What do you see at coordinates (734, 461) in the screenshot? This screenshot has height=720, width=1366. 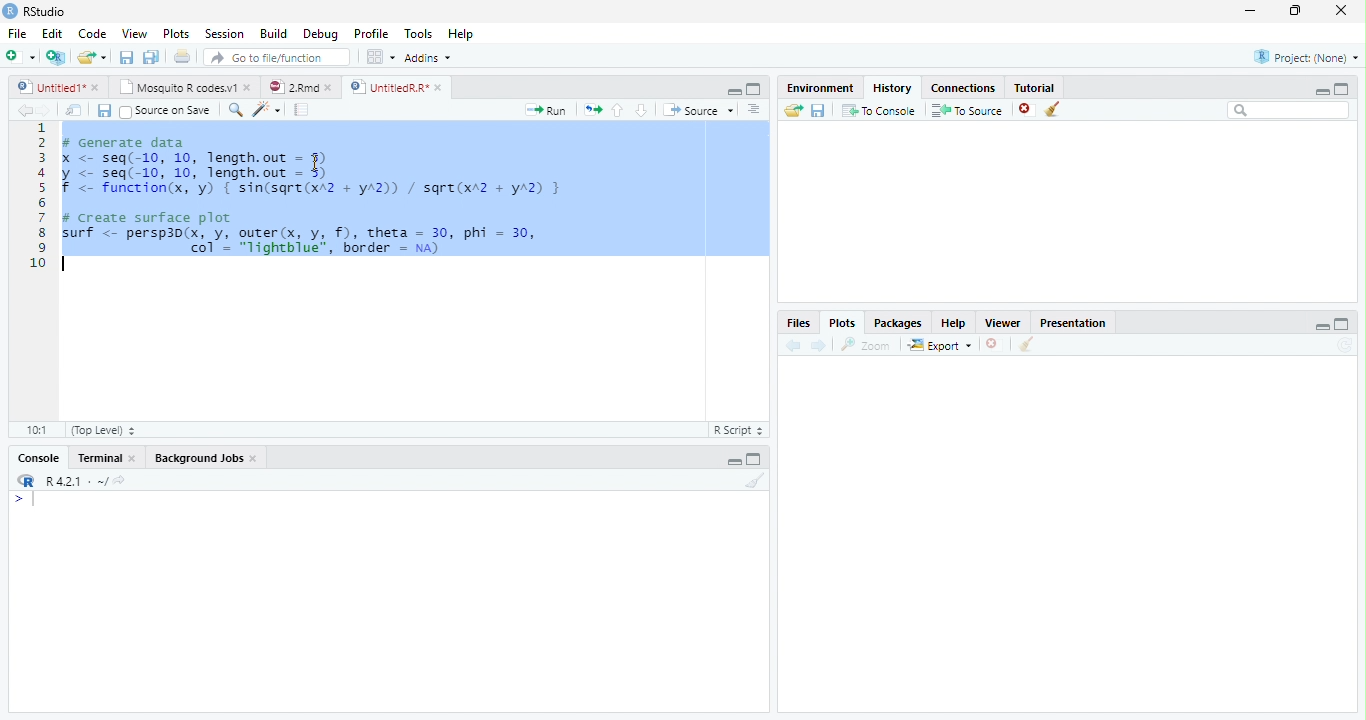 I see `Minimize` at bounding box center [734, 461].